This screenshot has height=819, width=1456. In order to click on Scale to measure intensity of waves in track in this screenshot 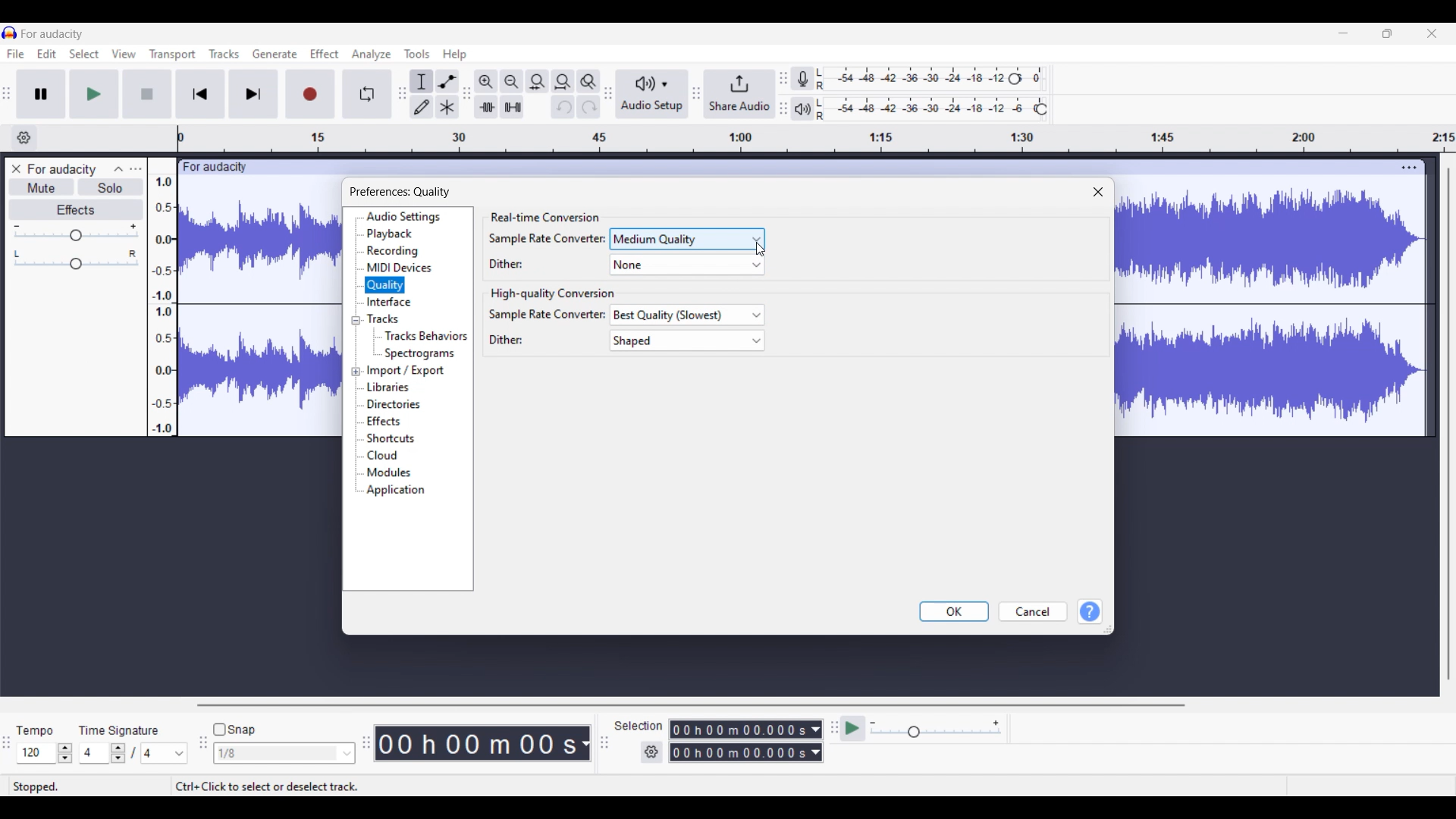, I will do `click(162, 297)`.